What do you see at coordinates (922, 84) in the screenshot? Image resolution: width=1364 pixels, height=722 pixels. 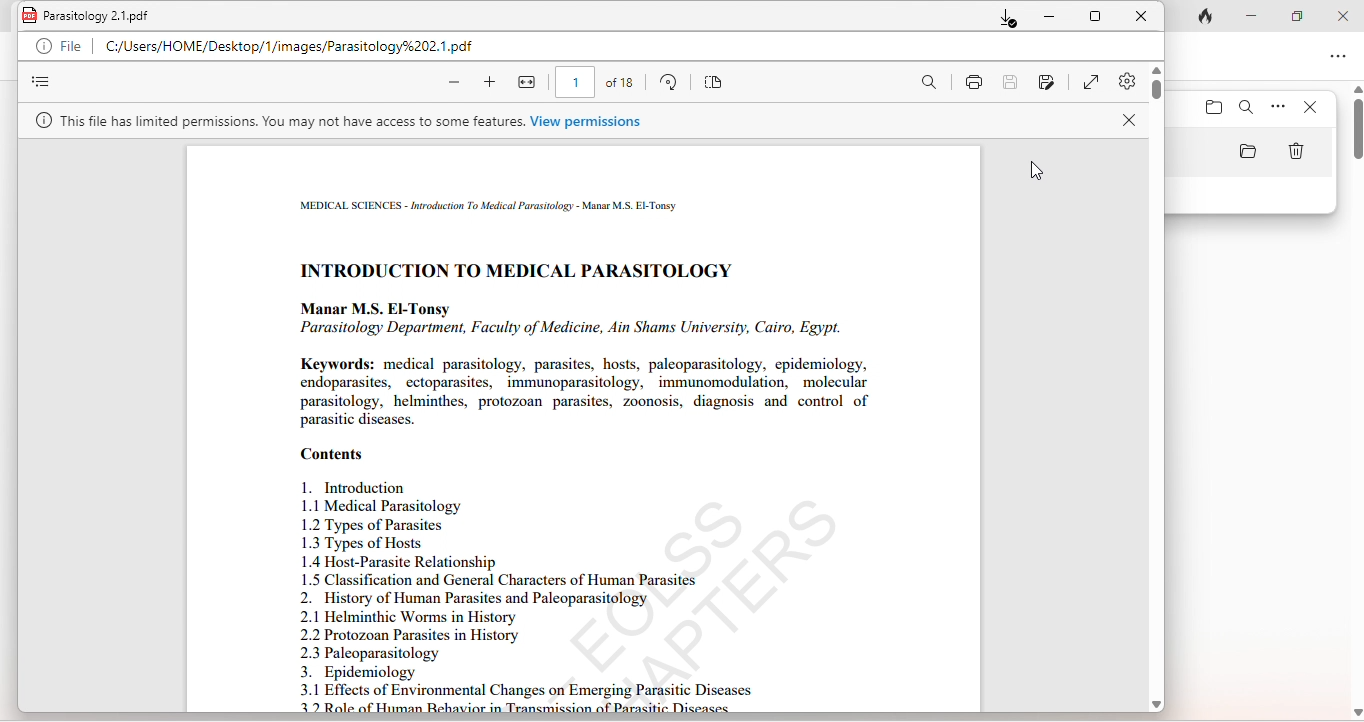 I see `search` at bounding box center [922, 84].